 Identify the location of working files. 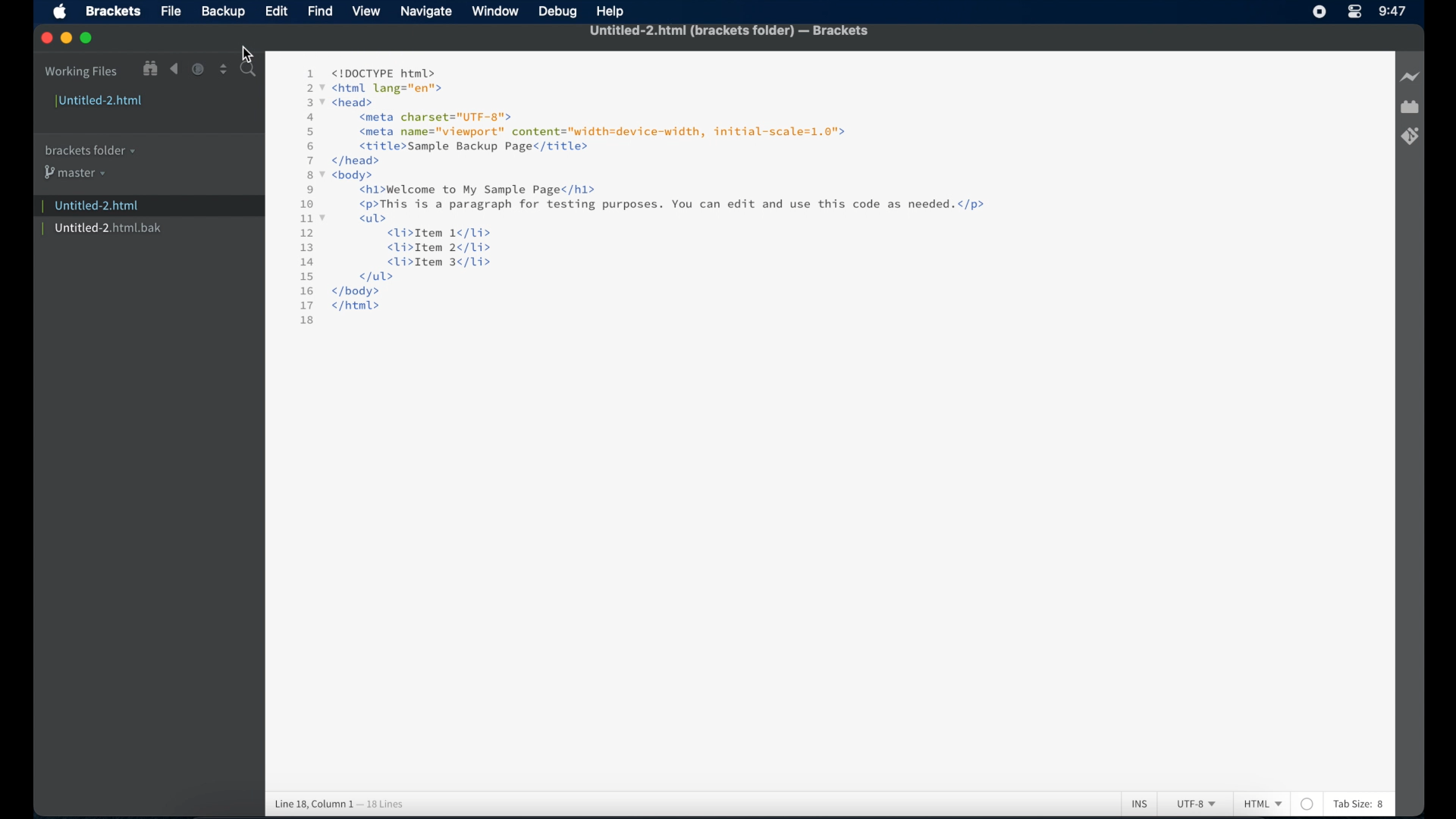
(81, 73).